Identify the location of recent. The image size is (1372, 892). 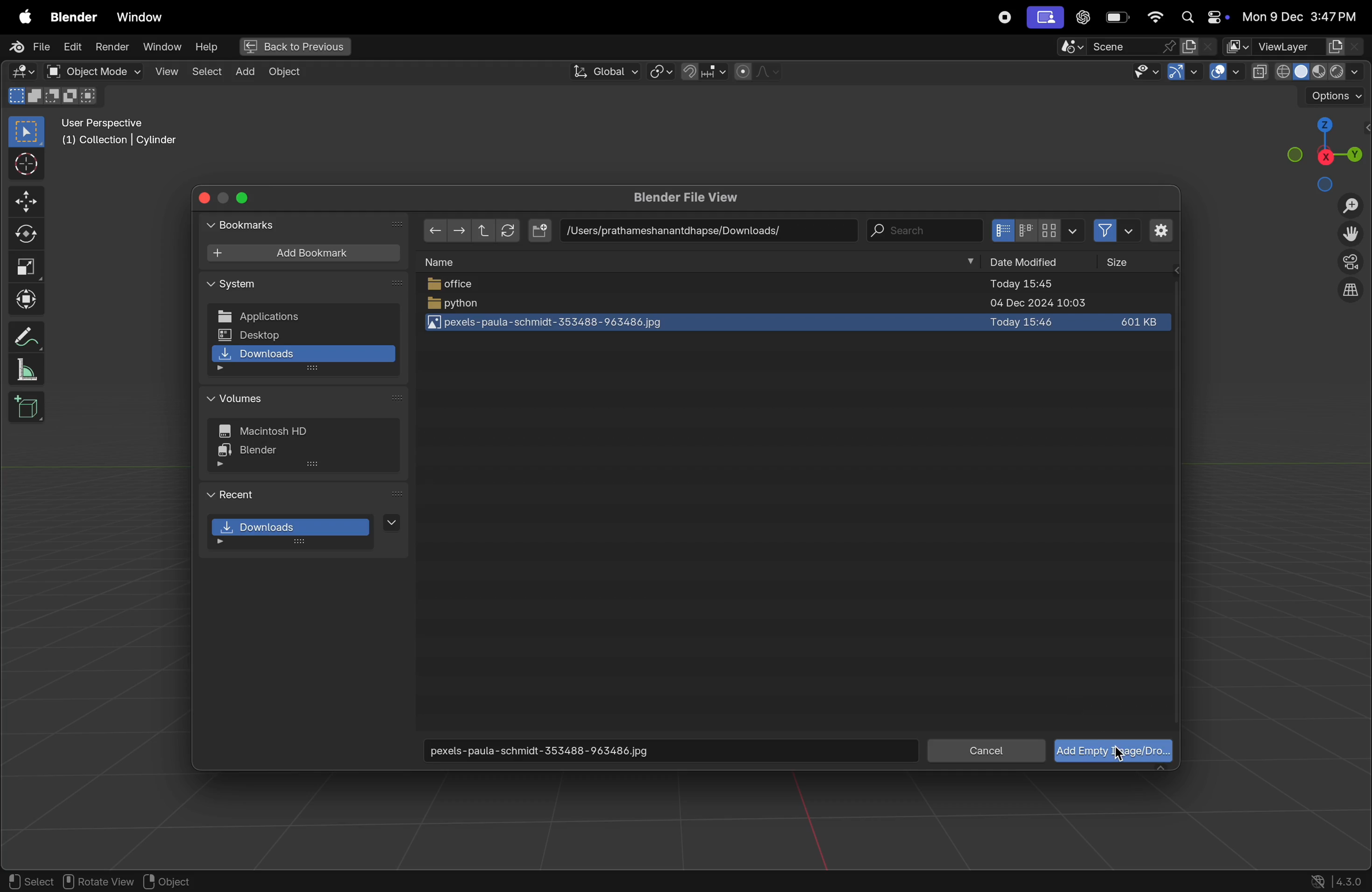
(235, 493).